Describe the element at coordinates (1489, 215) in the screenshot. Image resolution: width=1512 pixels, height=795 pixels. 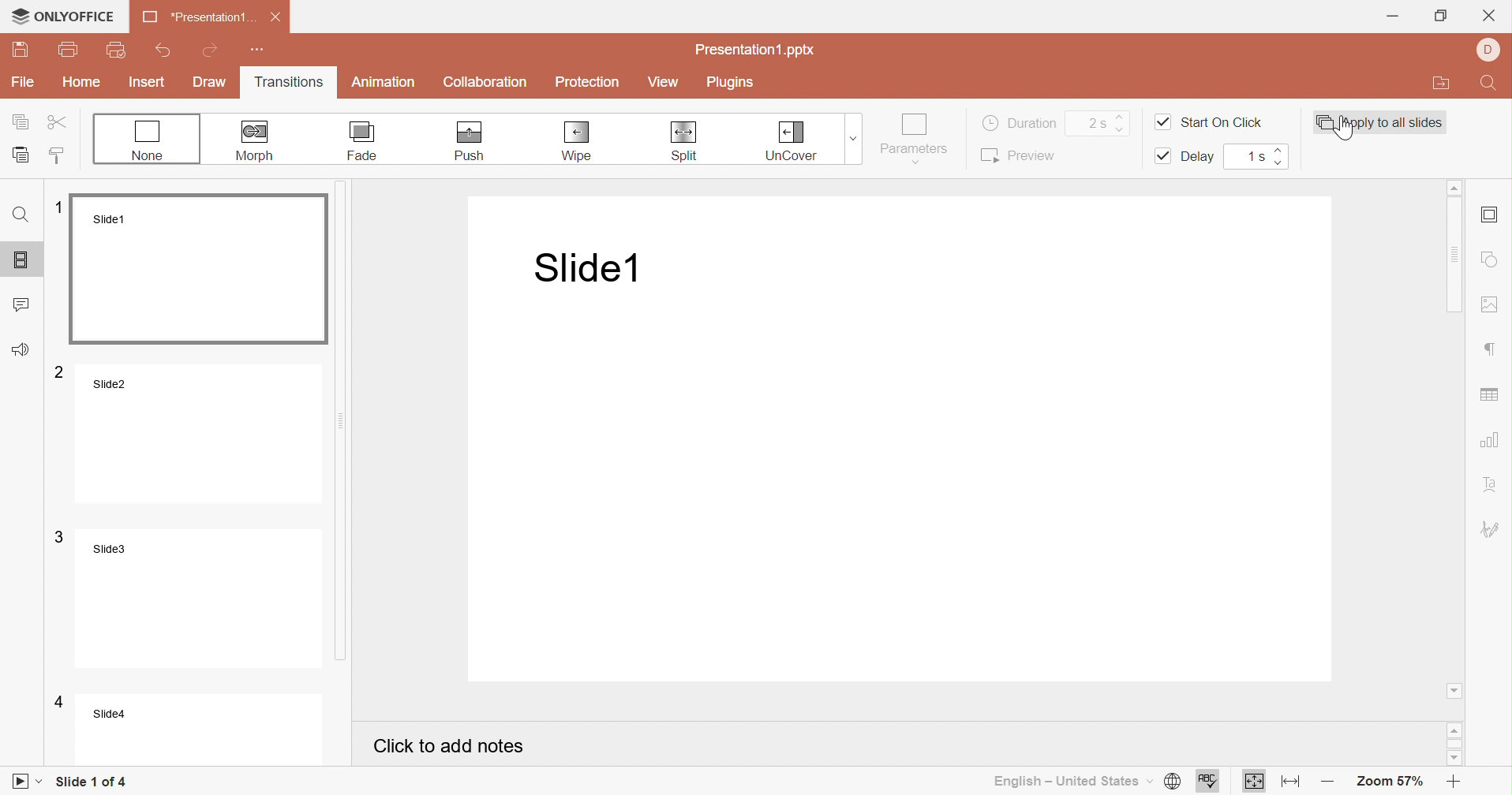
I see `Slide settings` at that location.